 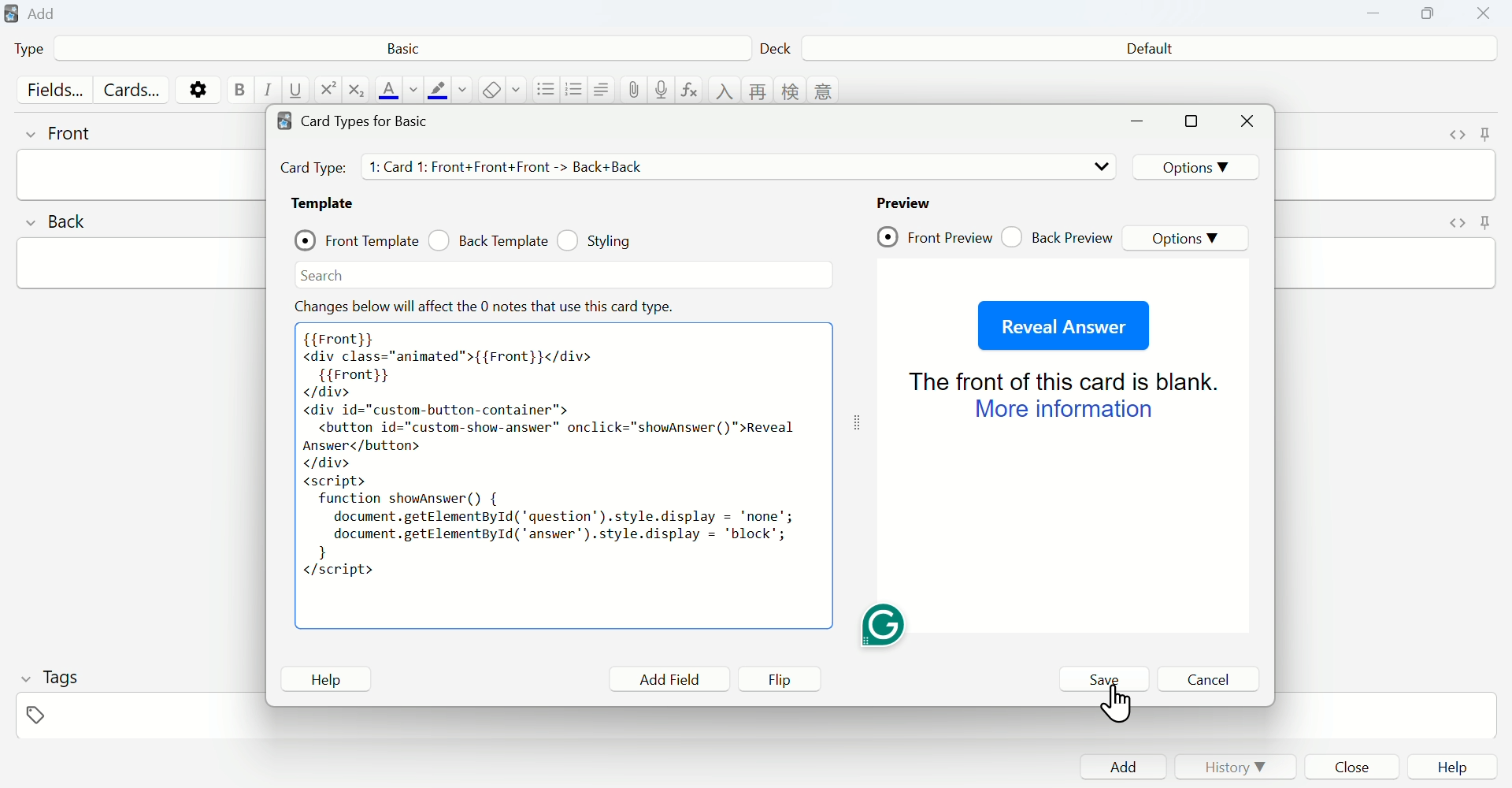 What do you see at coordinates (1153, 49) in the screenshot?
I see `Default` at bounding box center [1153, 49].